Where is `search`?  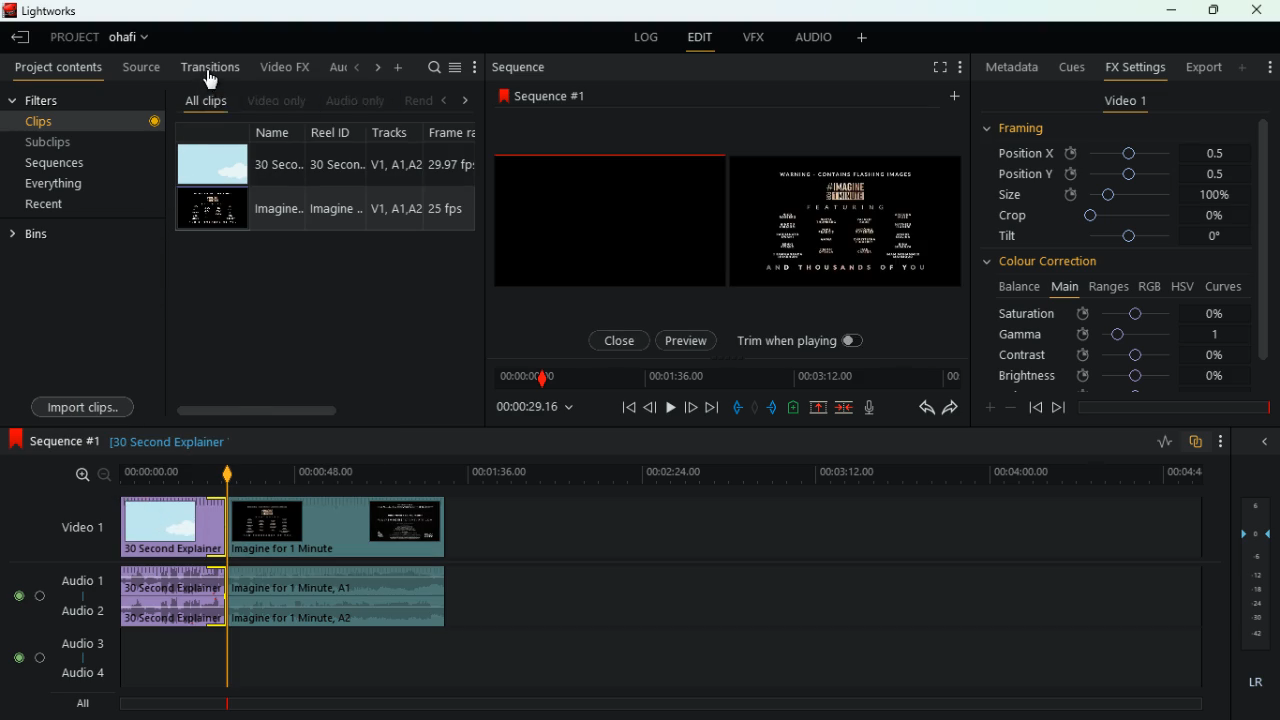
search is located at coordinates (432, 67).